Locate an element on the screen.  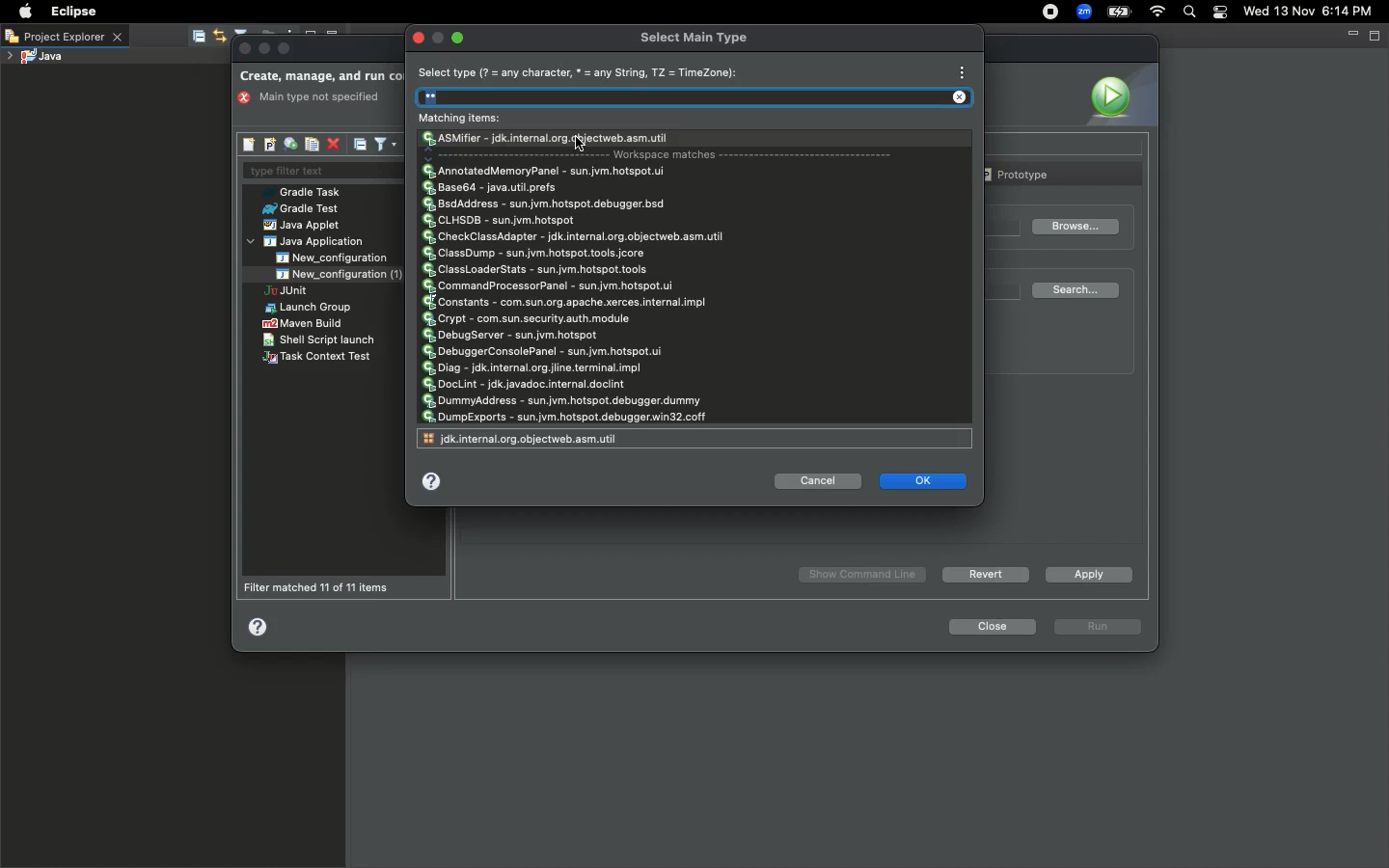
Close is located at coordinates (990, 627).